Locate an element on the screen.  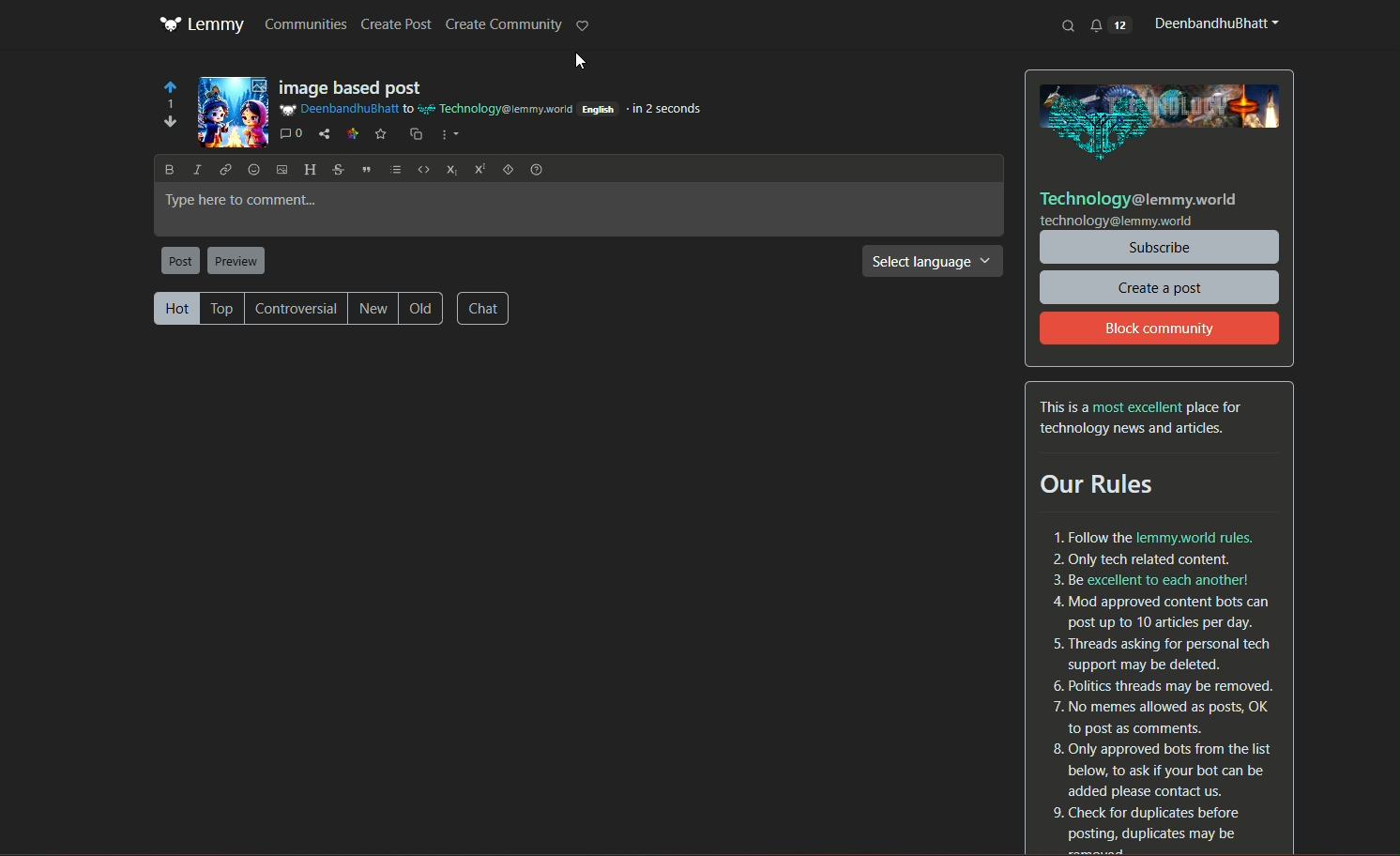
image is located at coordinates (1164, 121).